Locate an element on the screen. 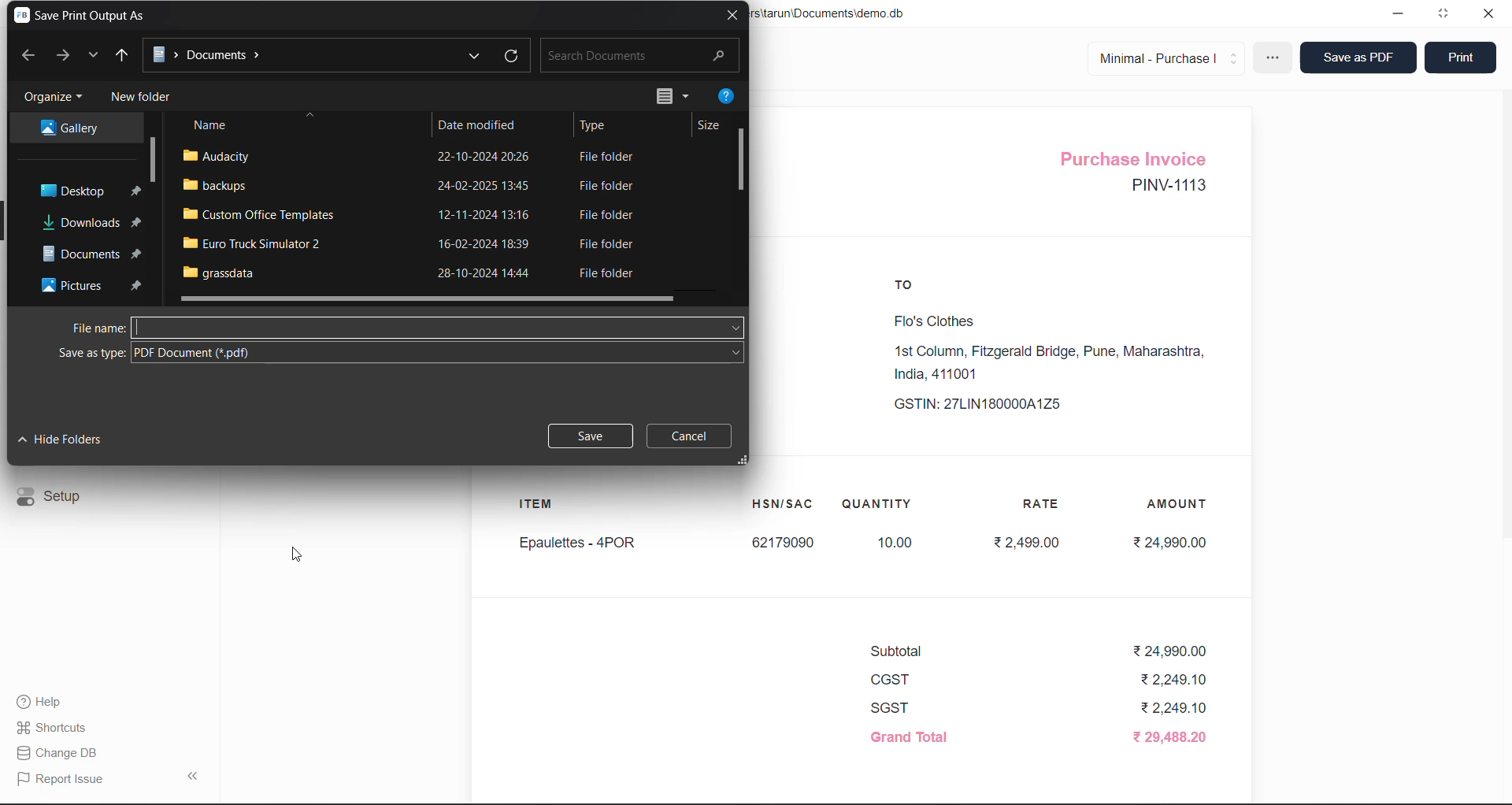 The height and width of the screenshot is (805, 1512). backups is located at coordinates (223, 185).